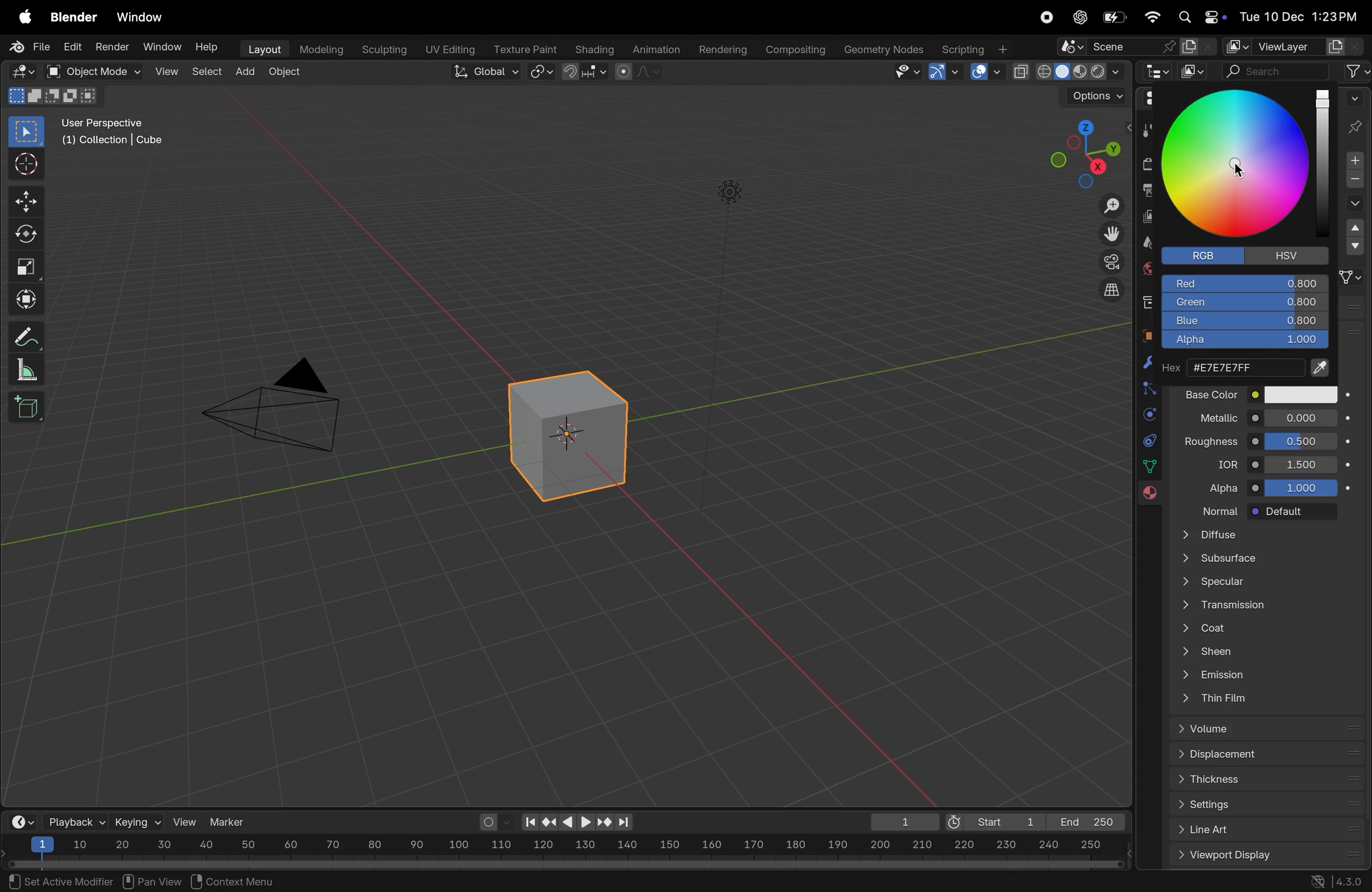 Image resolution: width=1372 pixels, height=892 pixels. Describe the element at coordinates (586, 72) in the screenshot. I see `transform point` at that location.